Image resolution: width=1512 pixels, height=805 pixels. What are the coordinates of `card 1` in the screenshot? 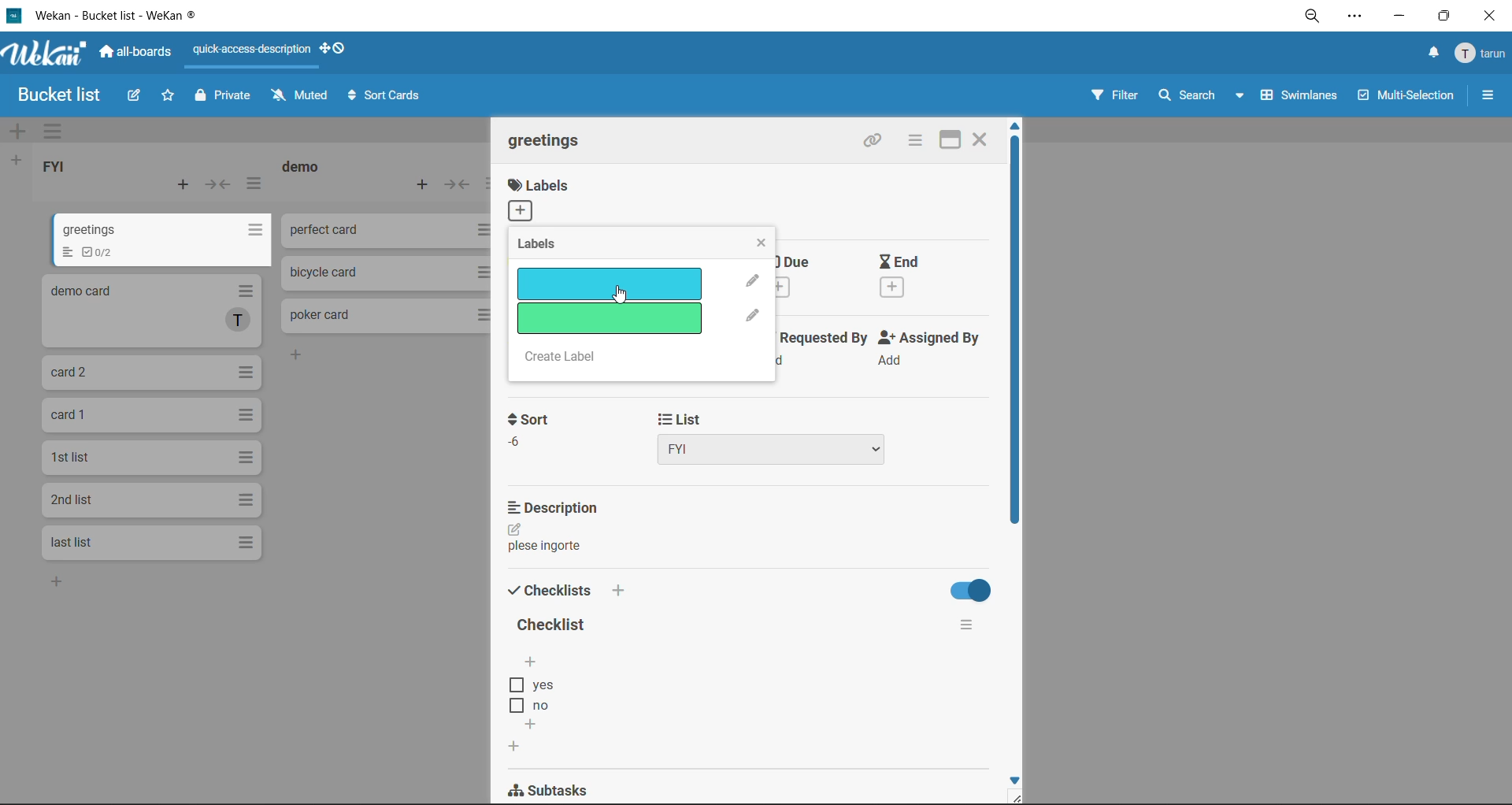 It's located at (165, 239).